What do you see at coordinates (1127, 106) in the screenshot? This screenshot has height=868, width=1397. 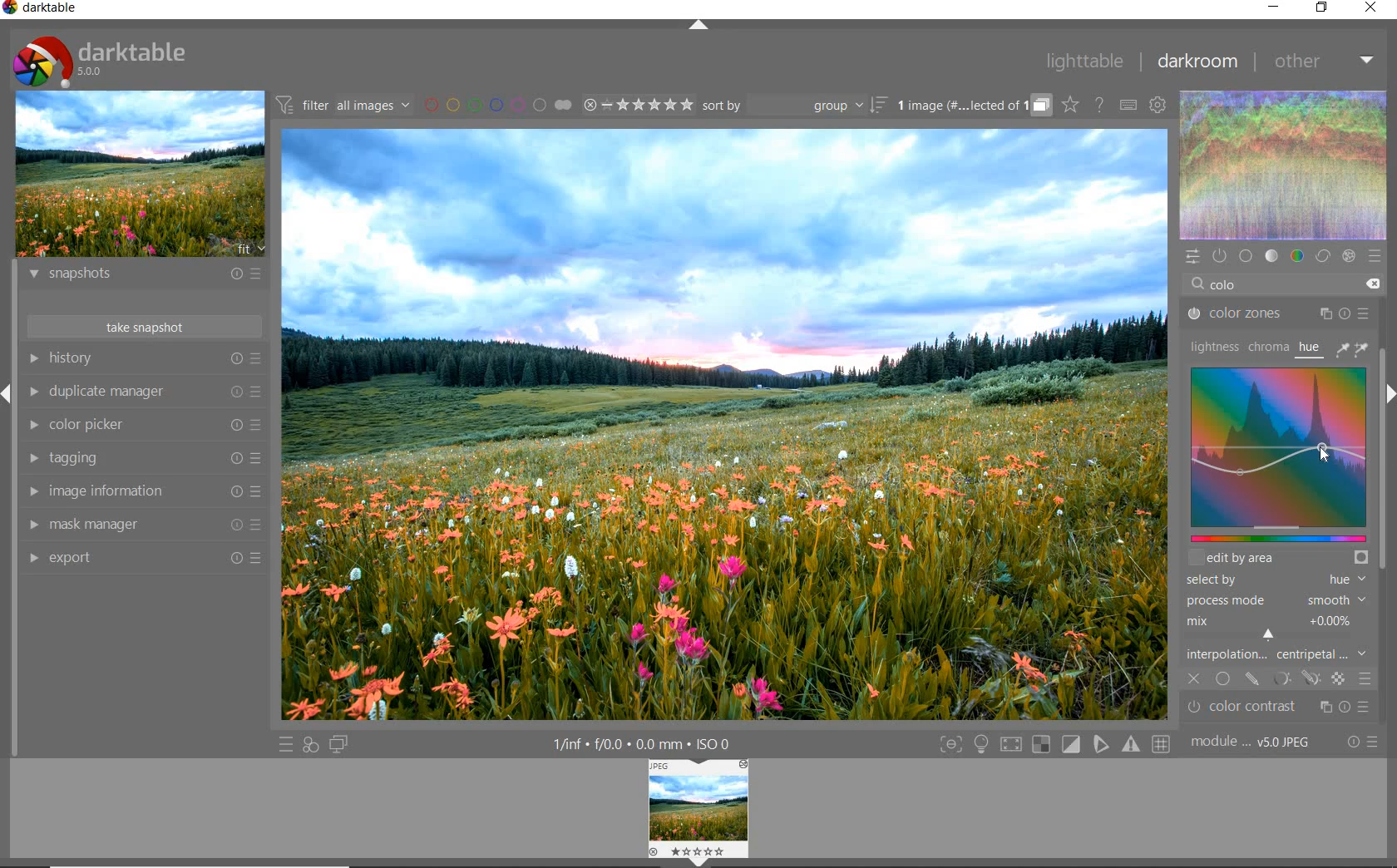 I see `set keyboard shortcuts` at bounding box center [1127, 106].